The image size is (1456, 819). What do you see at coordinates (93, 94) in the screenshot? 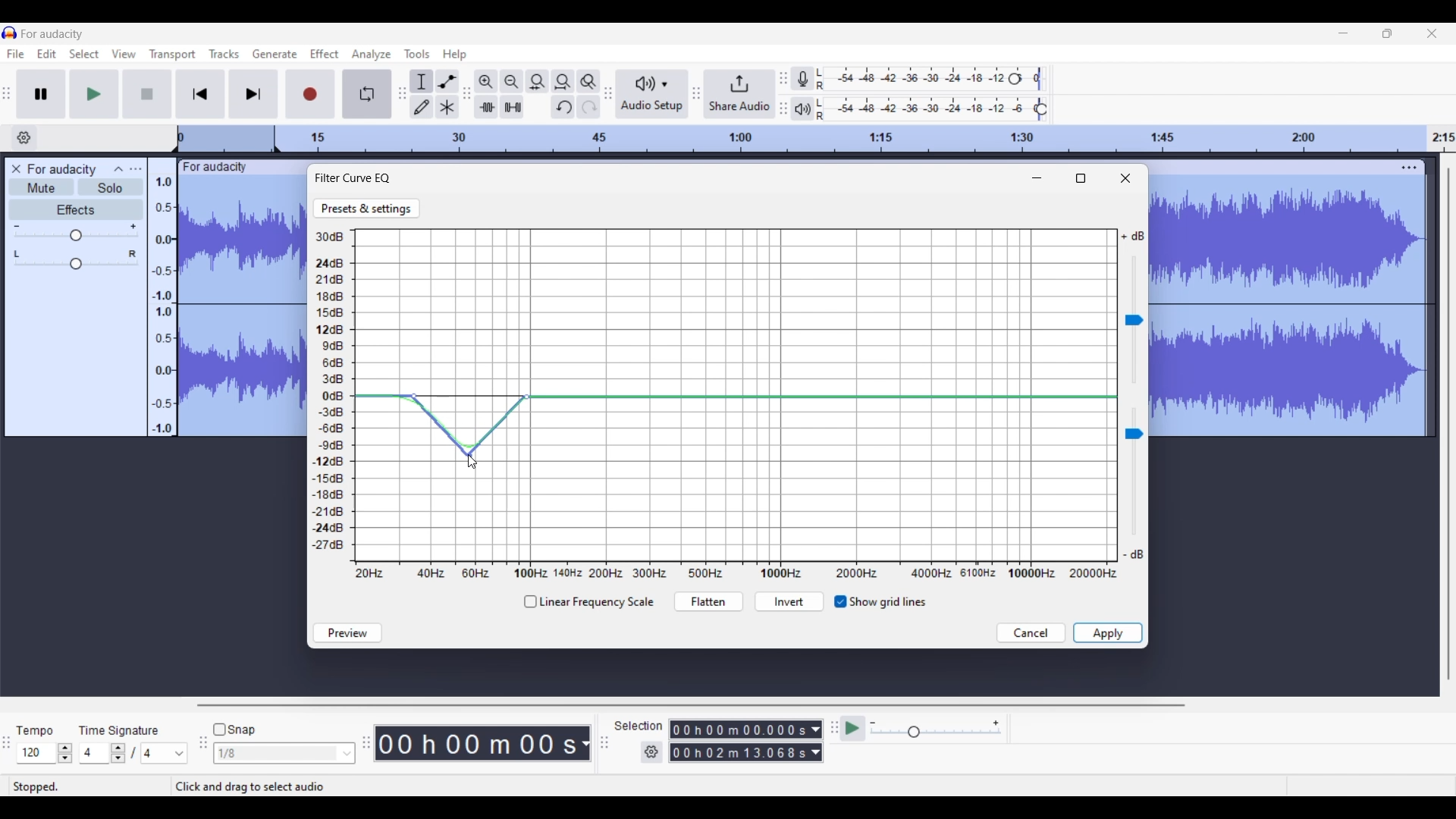
I see `Play/Play once` at bounding box center [93, 94].